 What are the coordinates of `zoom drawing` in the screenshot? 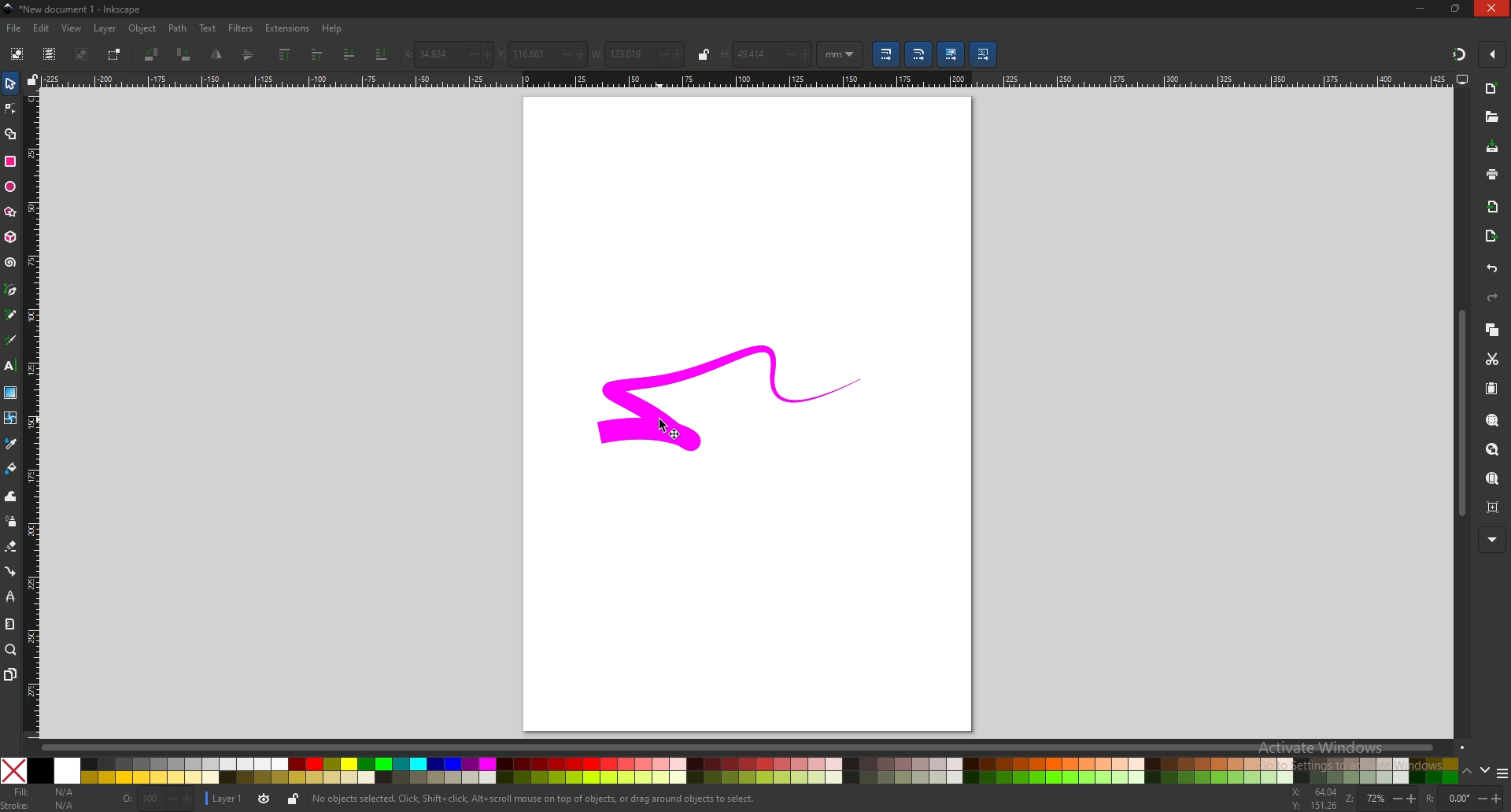 It's located at (1494, 449).